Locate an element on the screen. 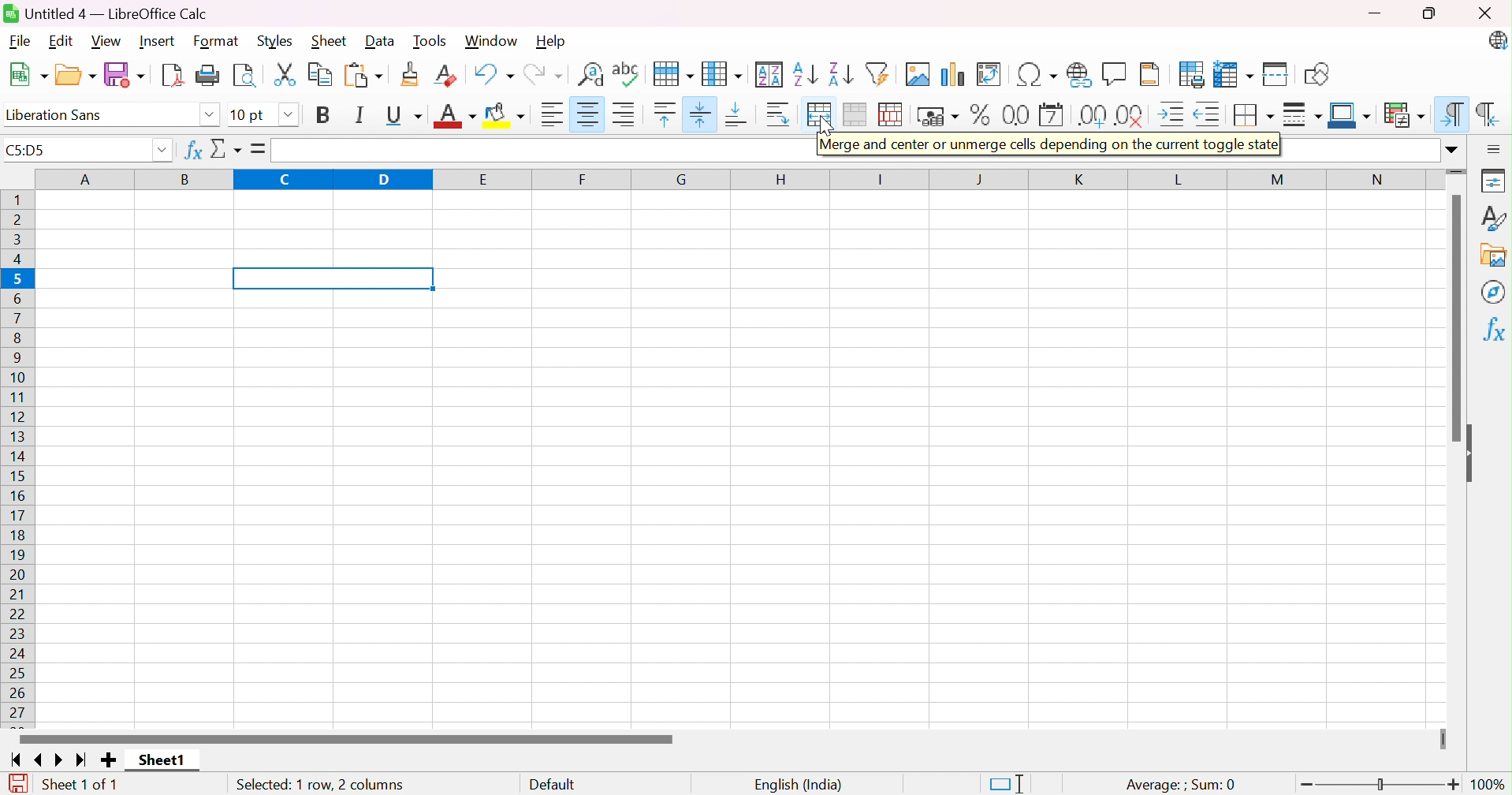 Image resolution: width=1512 pixels, height=795 pixels. Format is located at coordinates (217, 40).